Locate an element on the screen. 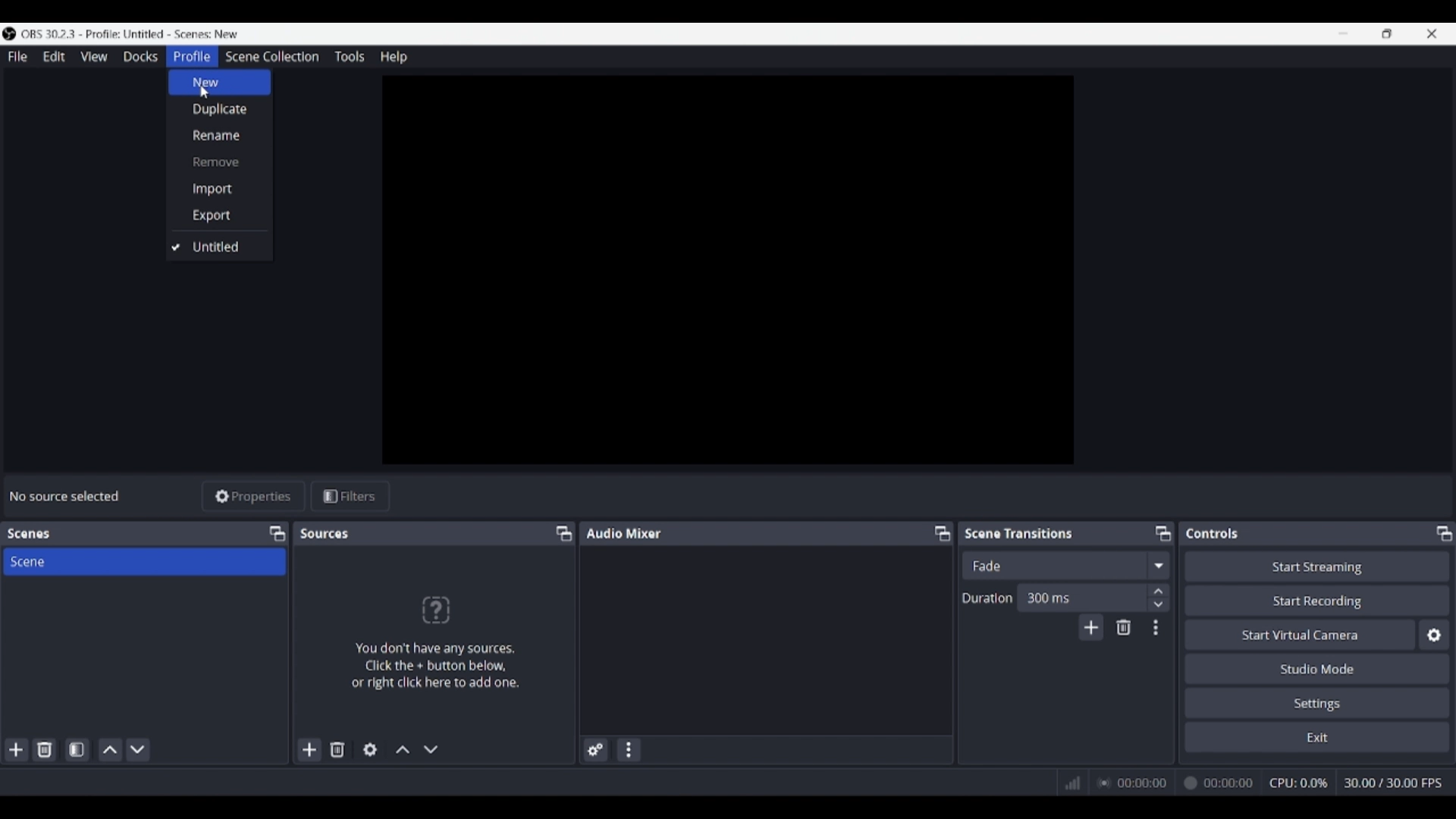  Software logo is located at coordinates (9, 33).